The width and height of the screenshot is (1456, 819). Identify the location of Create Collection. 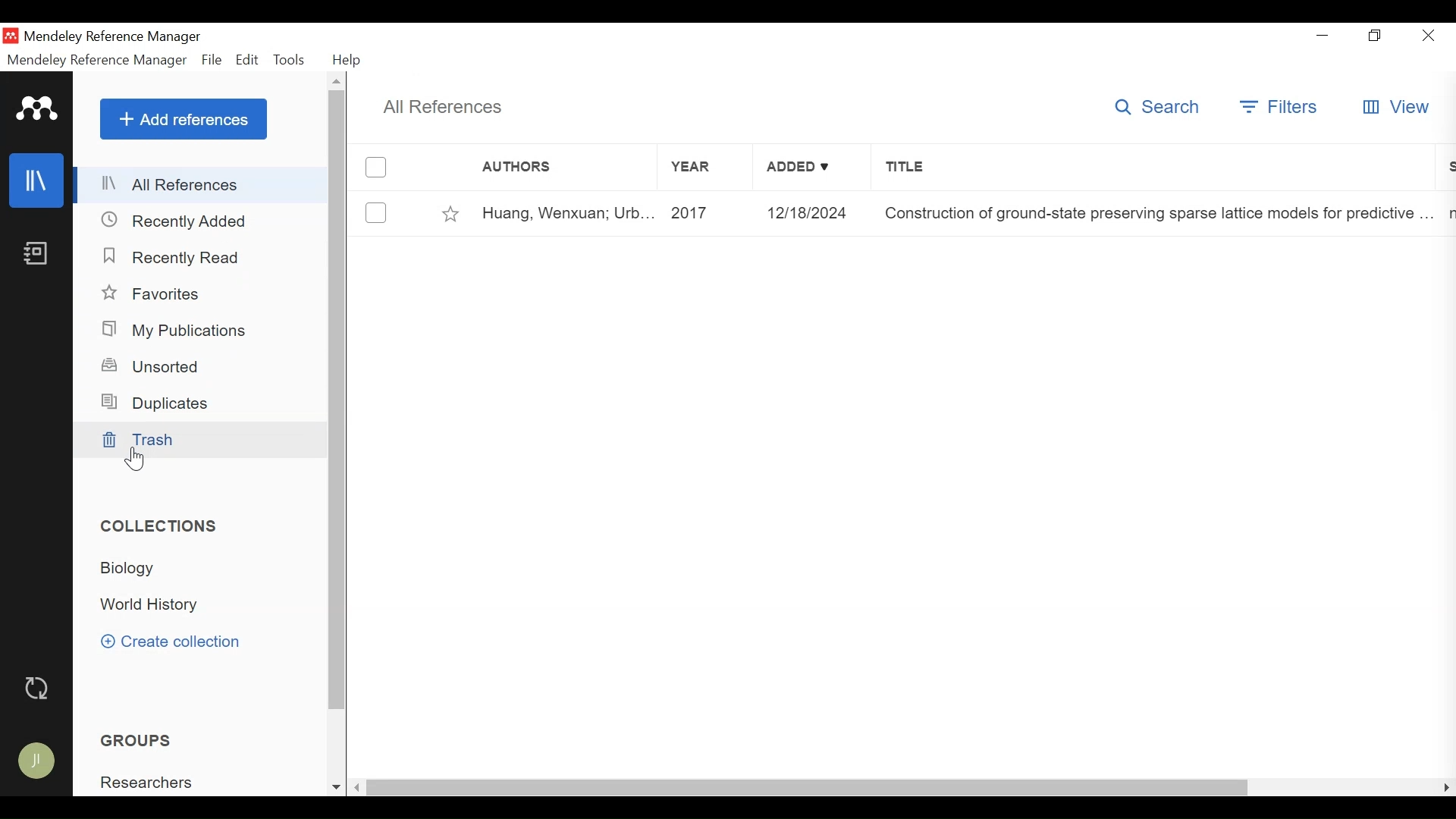
(175, 642).